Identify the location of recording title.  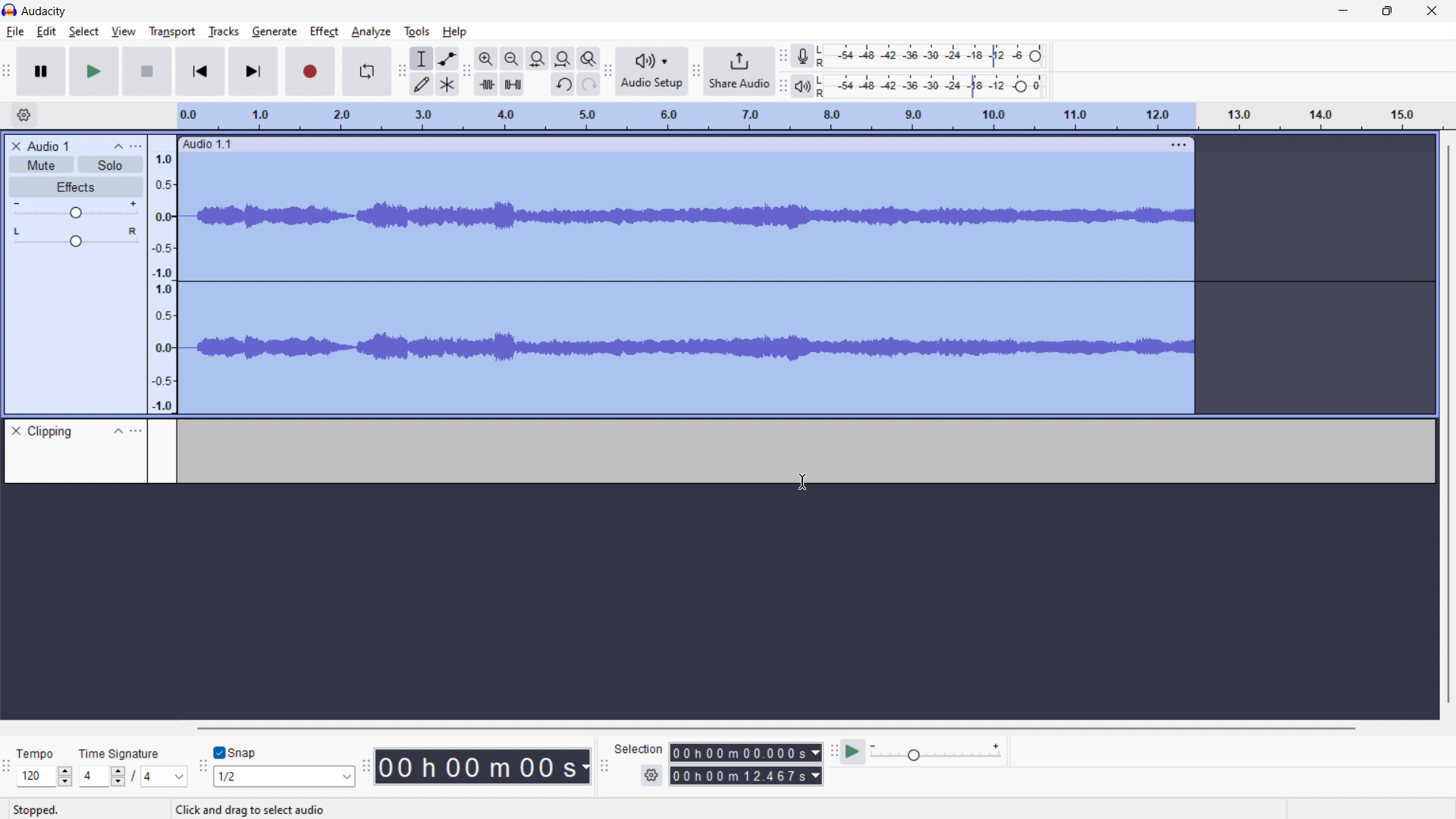
(49, 146).